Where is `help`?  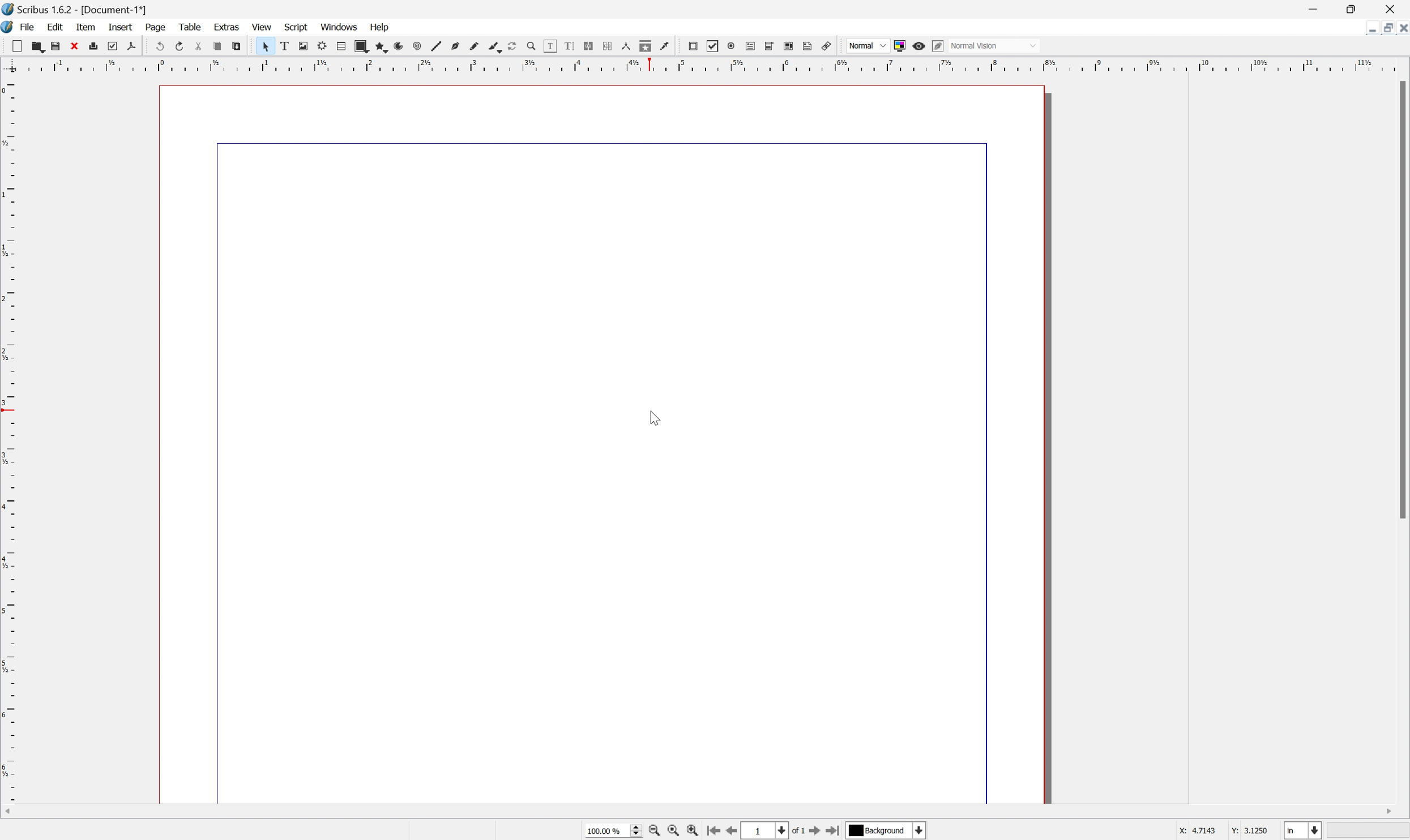 help is located at coordinates (383, 27).